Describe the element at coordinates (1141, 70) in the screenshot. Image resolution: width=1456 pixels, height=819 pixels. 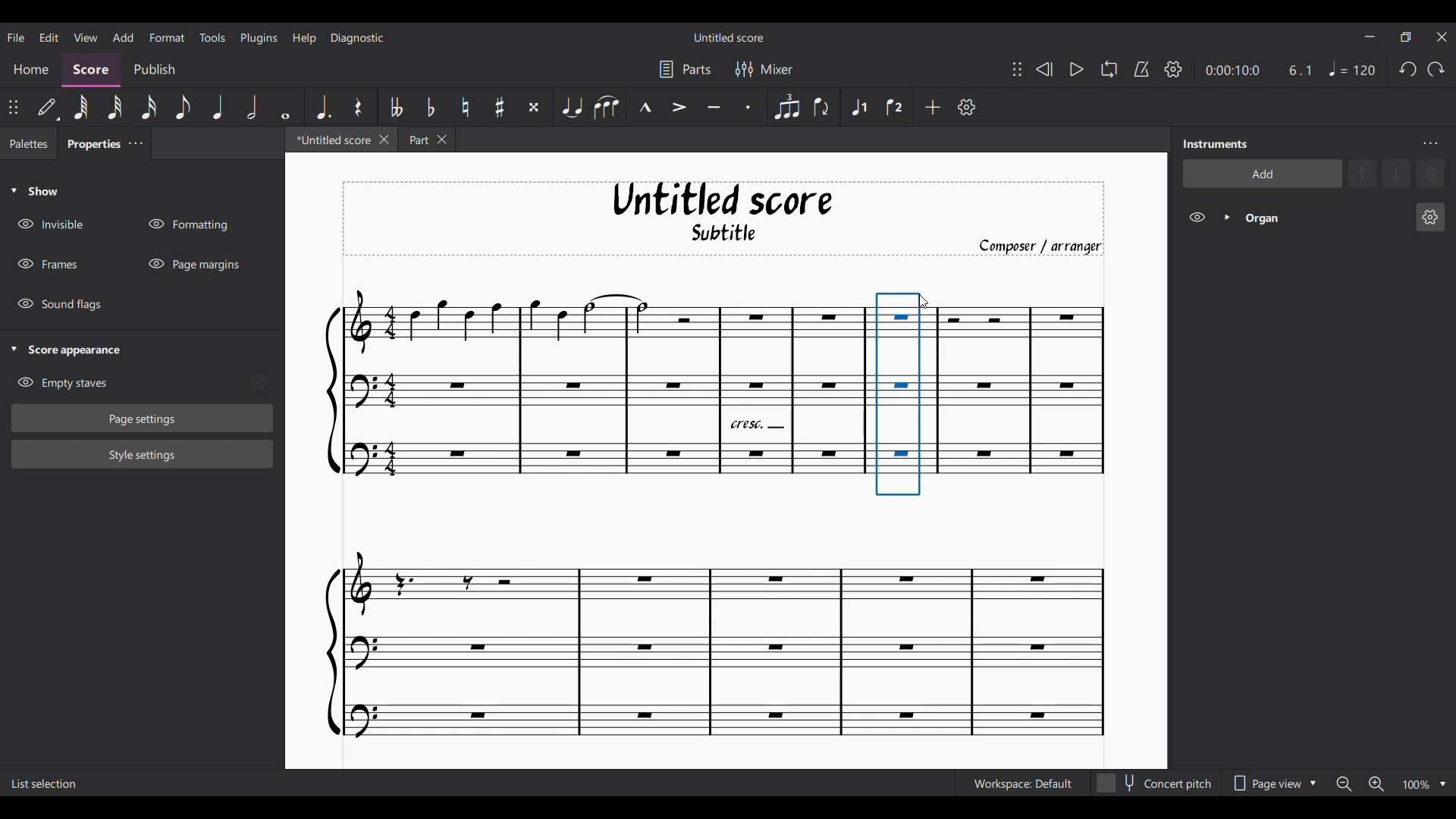
I see `Metronome` at that location.